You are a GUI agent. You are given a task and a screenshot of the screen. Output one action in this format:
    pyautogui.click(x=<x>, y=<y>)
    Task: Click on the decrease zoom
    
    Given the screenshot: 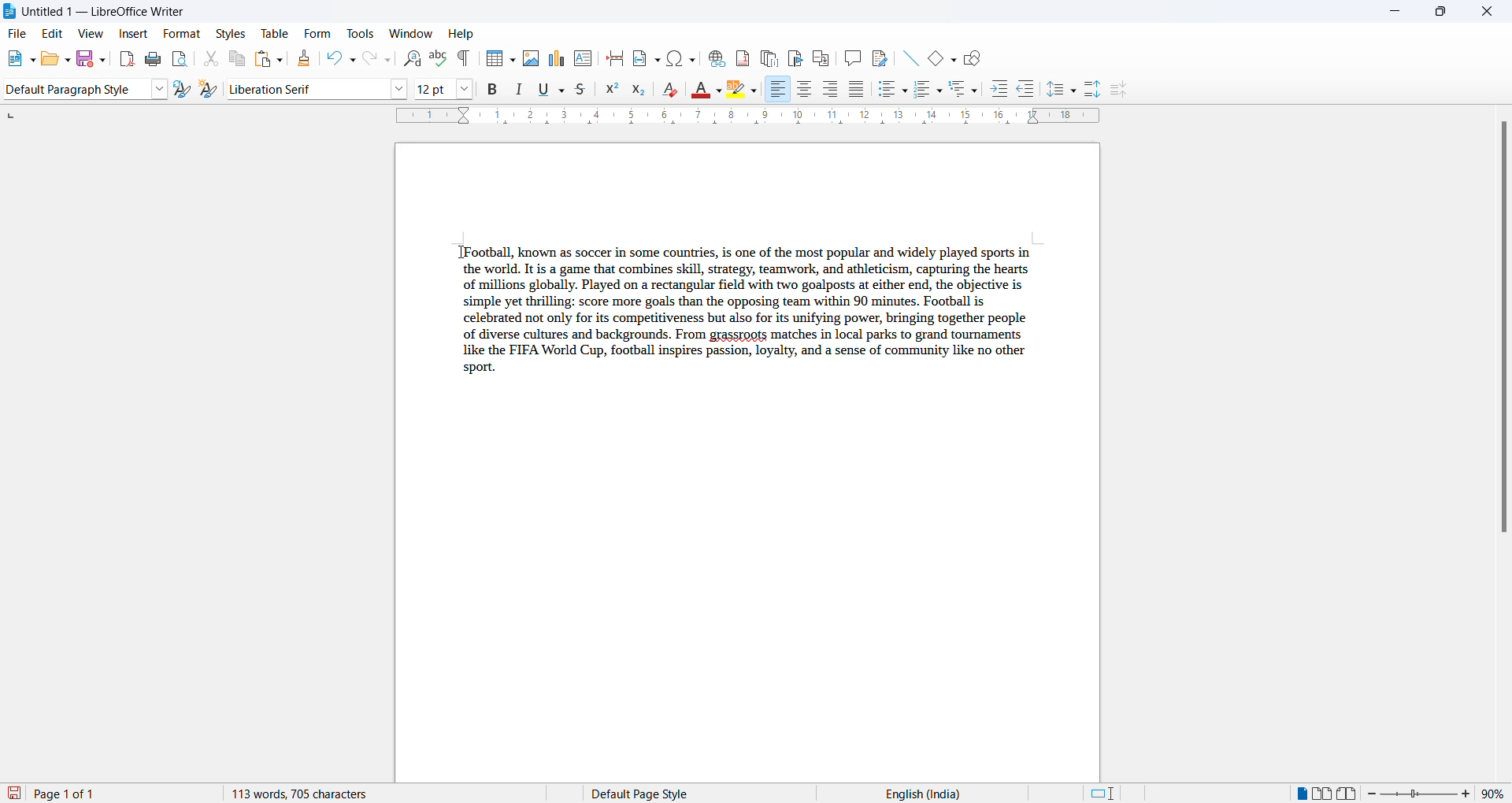 What is the action you would take?
    pyautogui.click(x=1373, y=794)
    